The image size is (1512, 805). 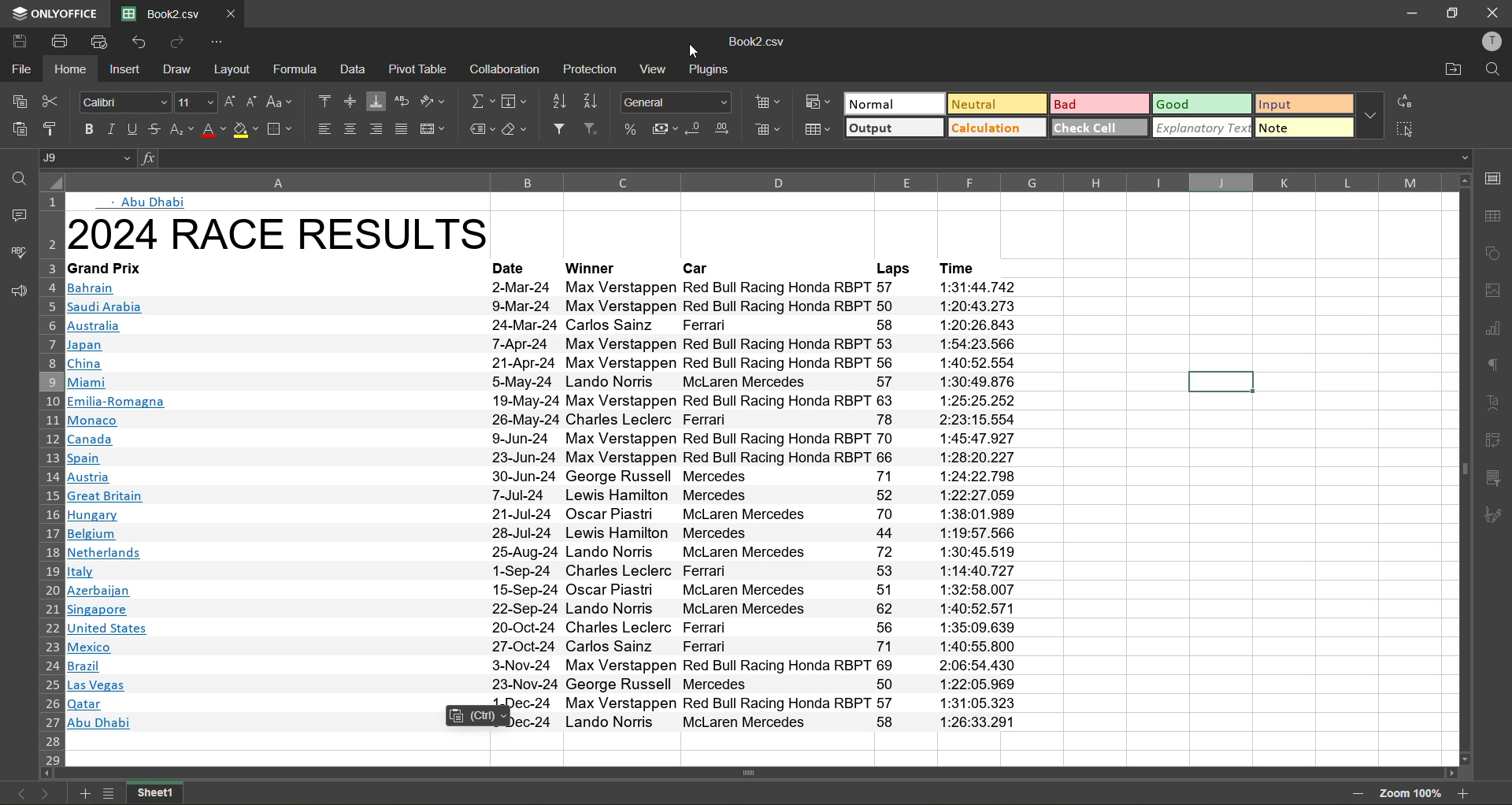 I want to click on text info, so click(x=544, y=381).